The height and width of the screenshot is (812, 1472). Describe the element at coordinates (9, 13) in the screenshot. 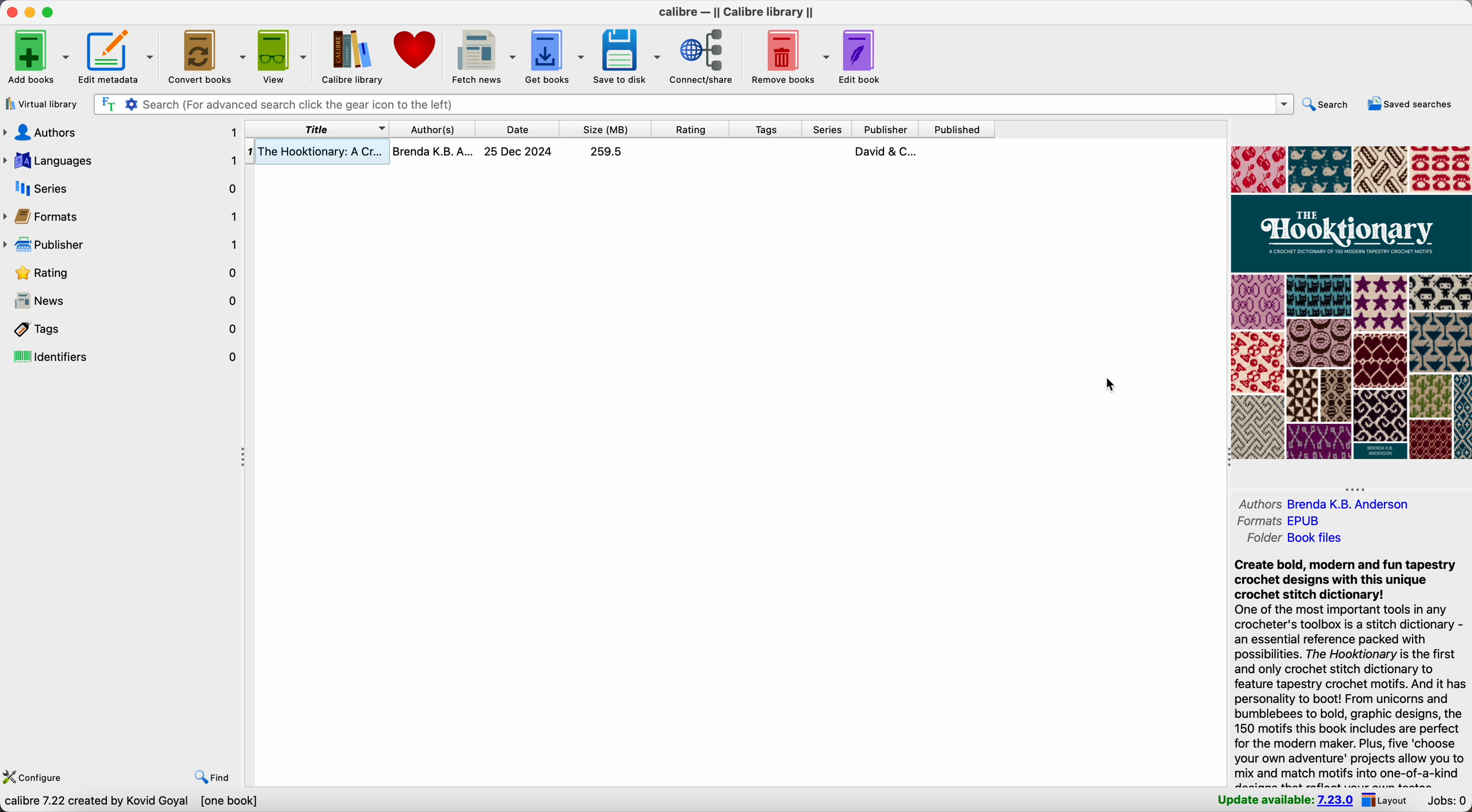

I see `close` at that location.